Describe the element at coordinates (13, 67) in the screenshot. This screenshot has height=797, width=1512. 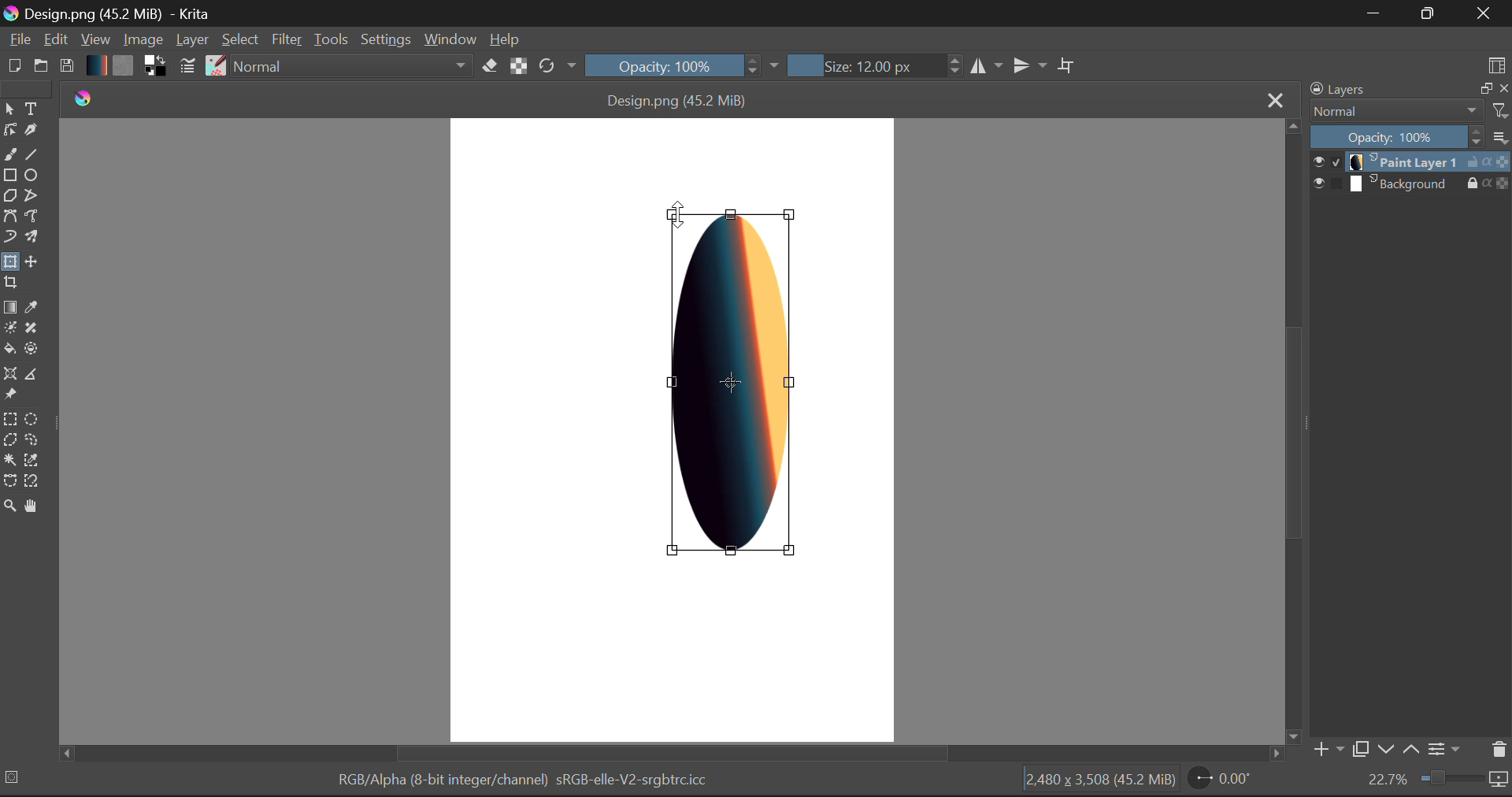
I see `New` at that location.